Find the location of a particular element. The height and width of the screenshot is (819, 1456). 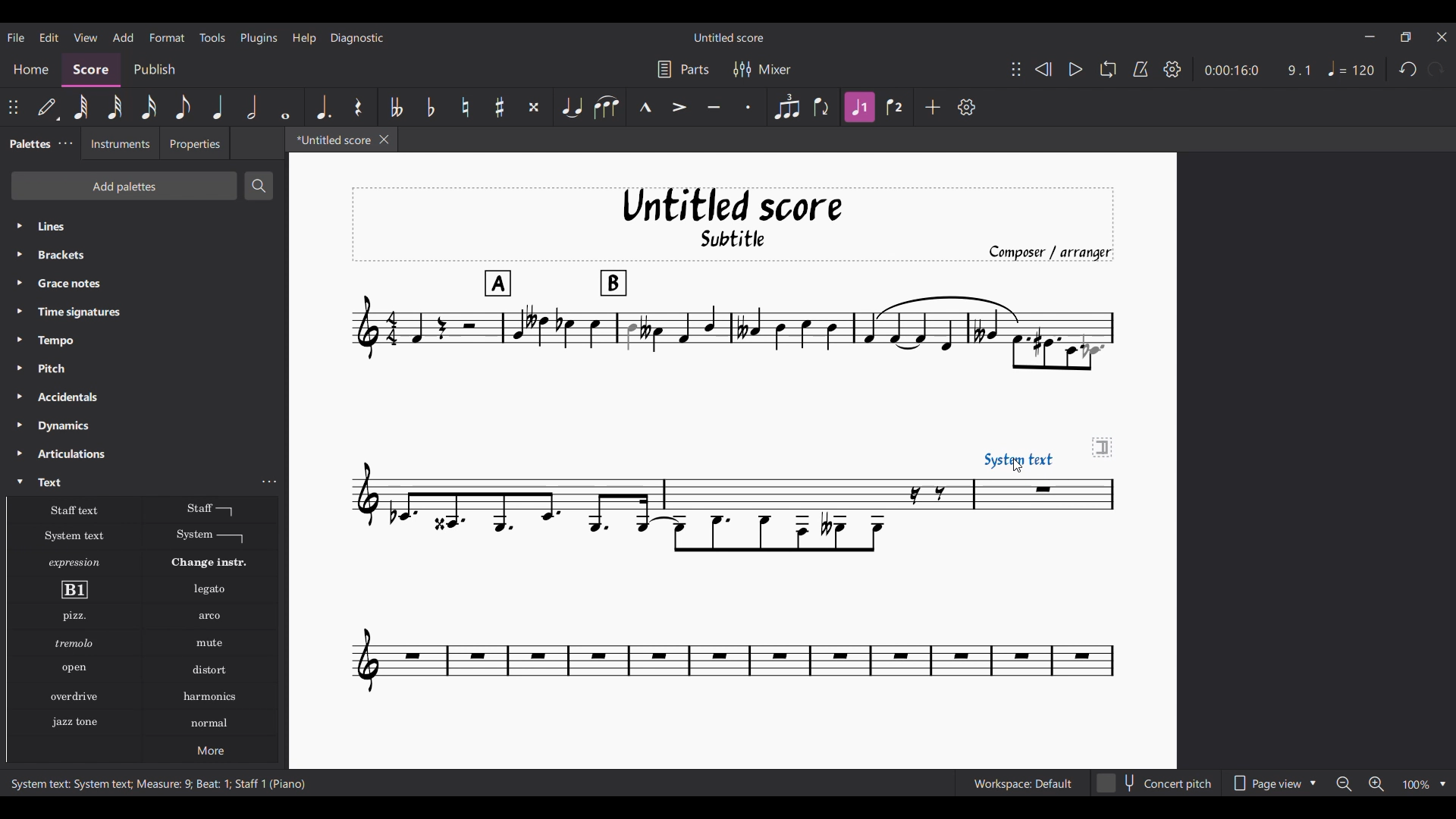

Dynamics is located at coordinates (144, 426).